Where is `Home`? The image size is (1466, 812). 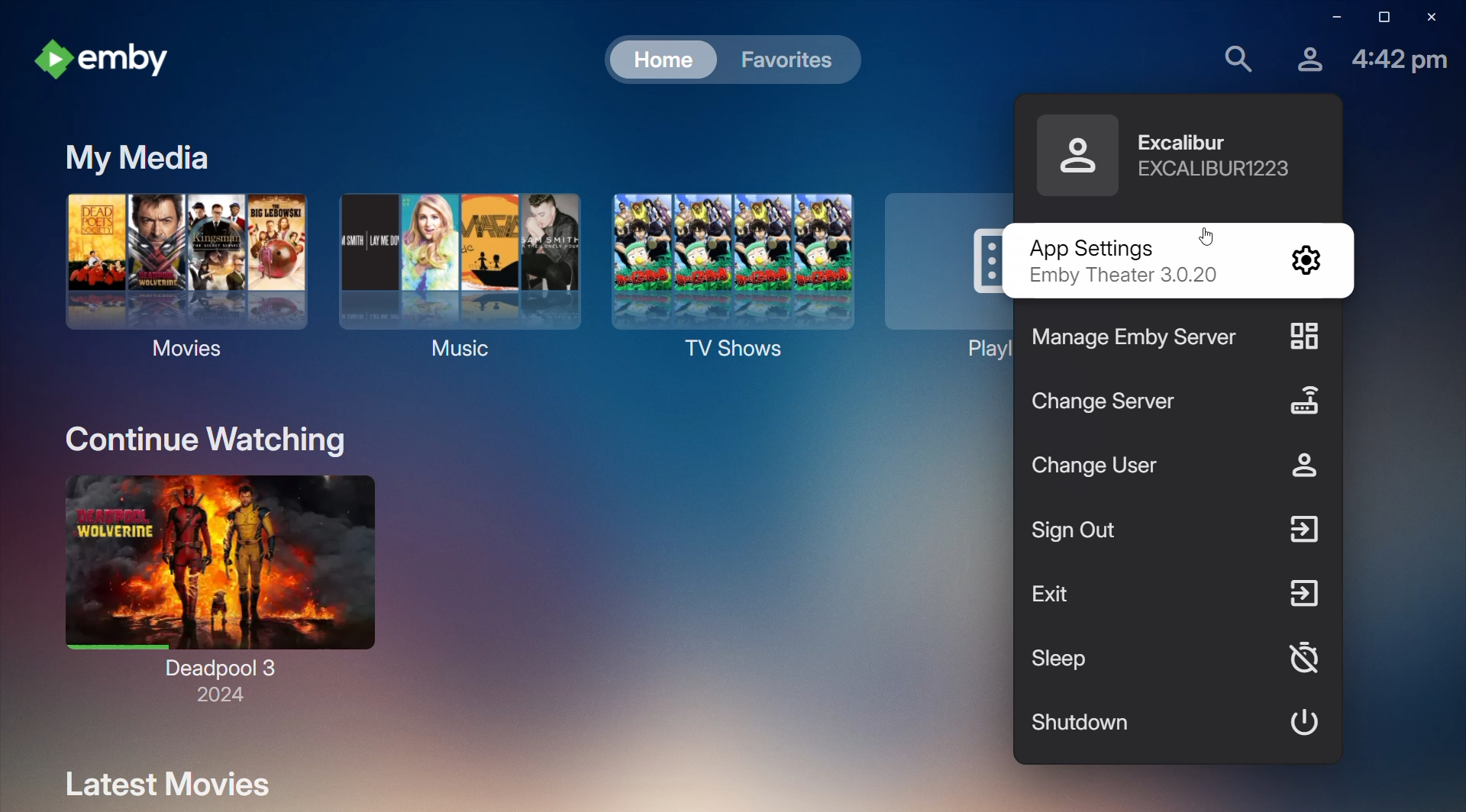
Home is located at coordinates (663, 60).